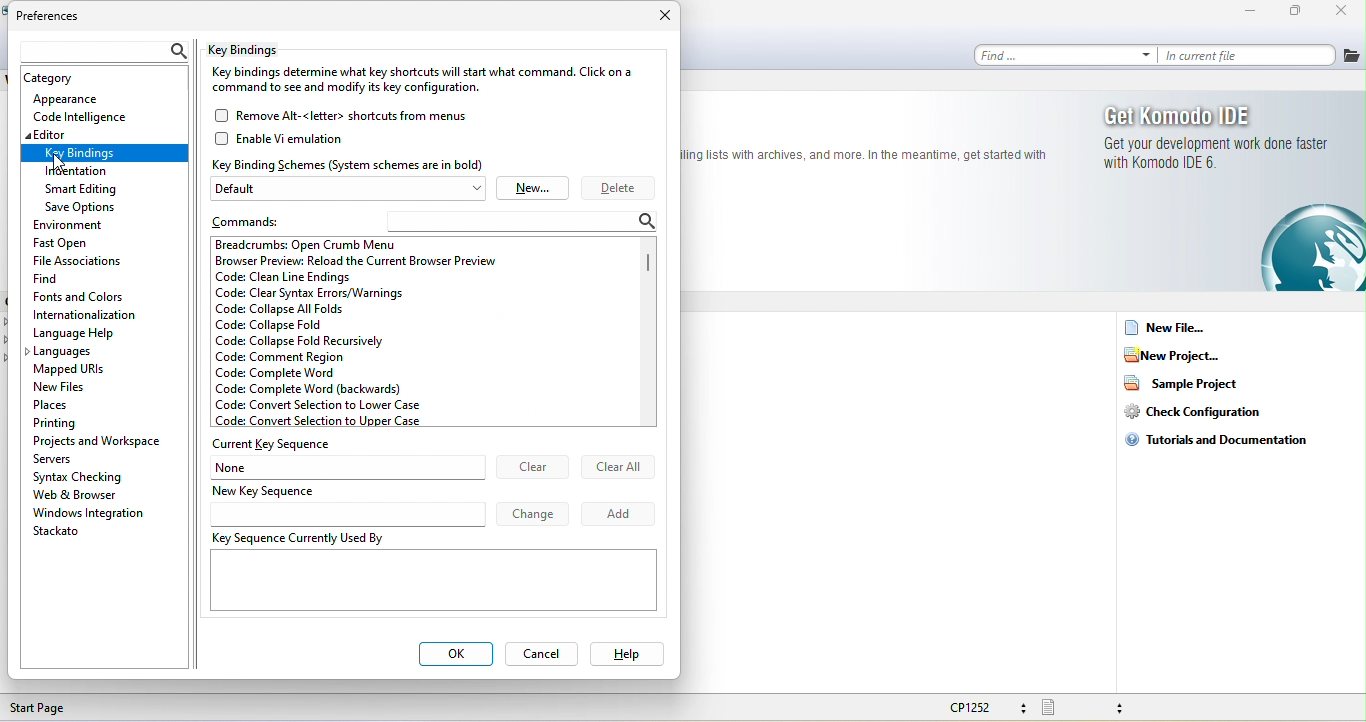 This screenshot has width=1366, height=722. I want to click on clear all, so click(618, 466).